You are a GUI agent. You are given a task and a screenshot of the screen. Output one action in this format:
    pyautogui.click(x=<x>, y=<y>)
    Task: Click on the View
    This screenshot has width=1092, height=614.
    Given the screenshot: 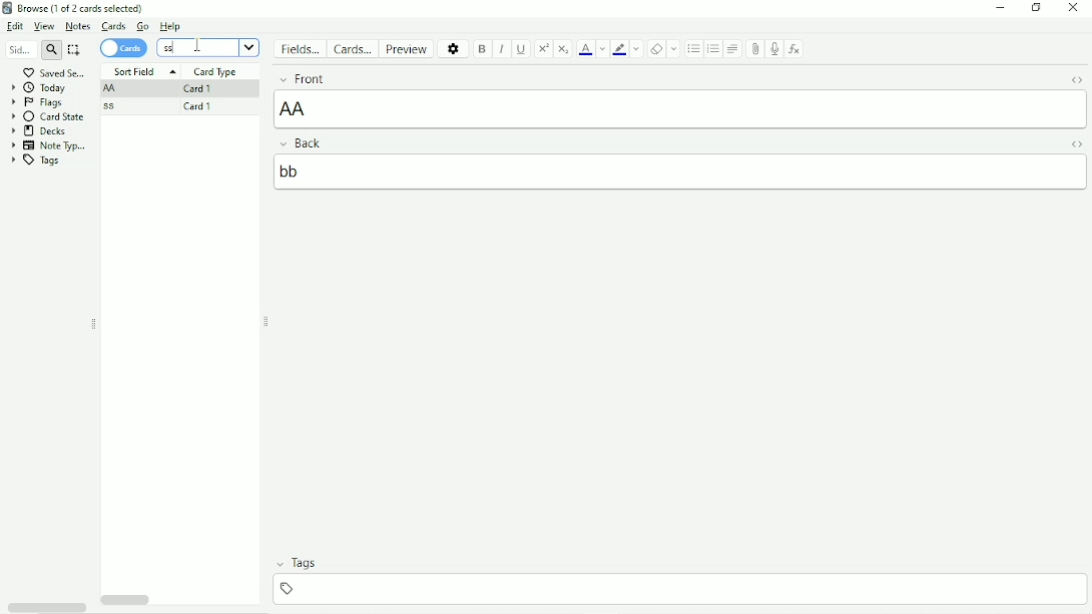 What is the action you would take?
    pyautogui.click(x=46, y=27)
    